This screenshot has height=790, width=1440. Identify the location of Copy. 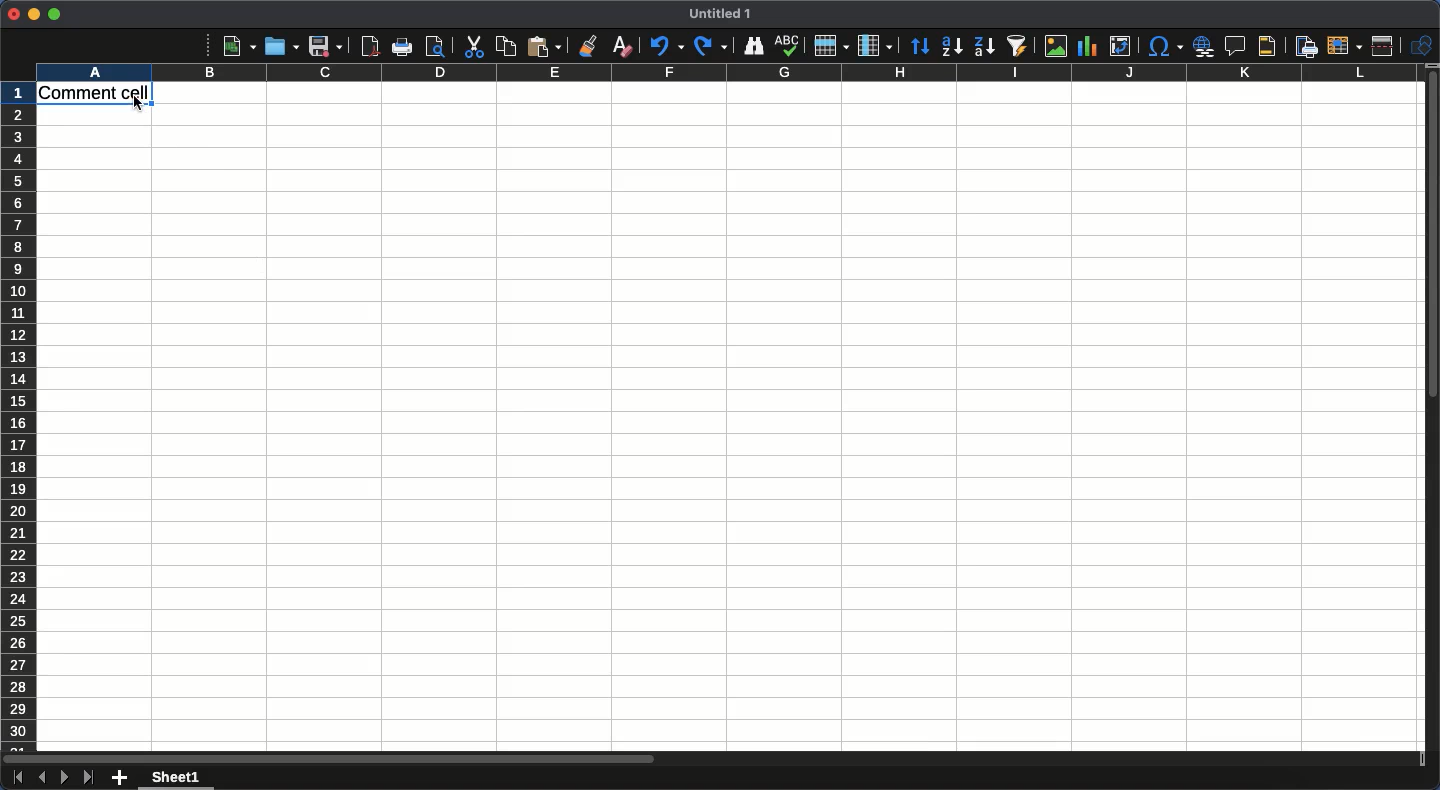
(507, 45).